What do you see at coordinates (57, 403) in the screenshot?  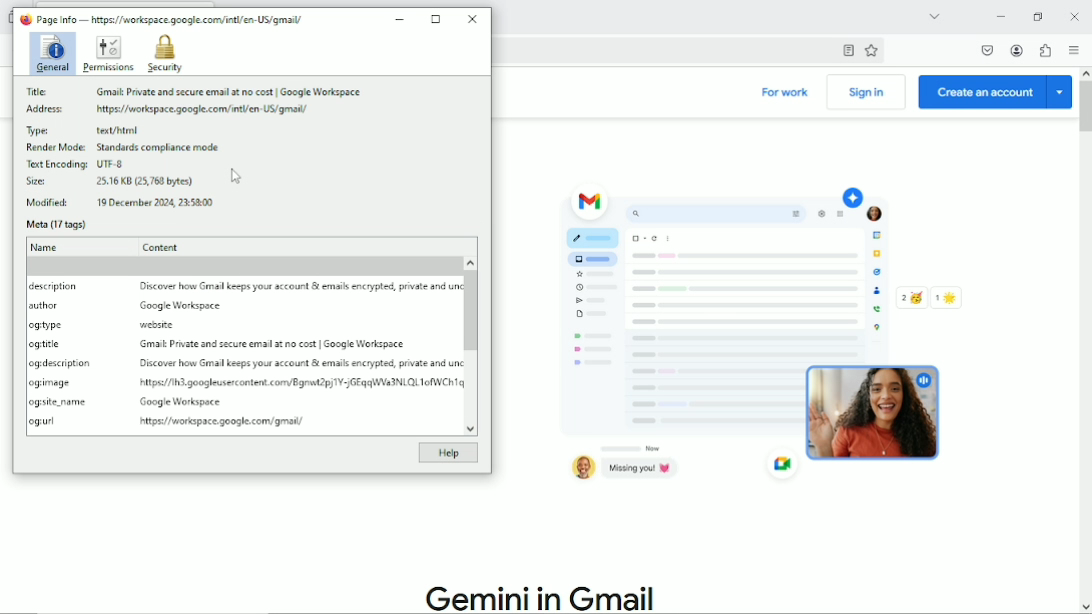 I see `og:site_name` at bounding box center [57, 403].